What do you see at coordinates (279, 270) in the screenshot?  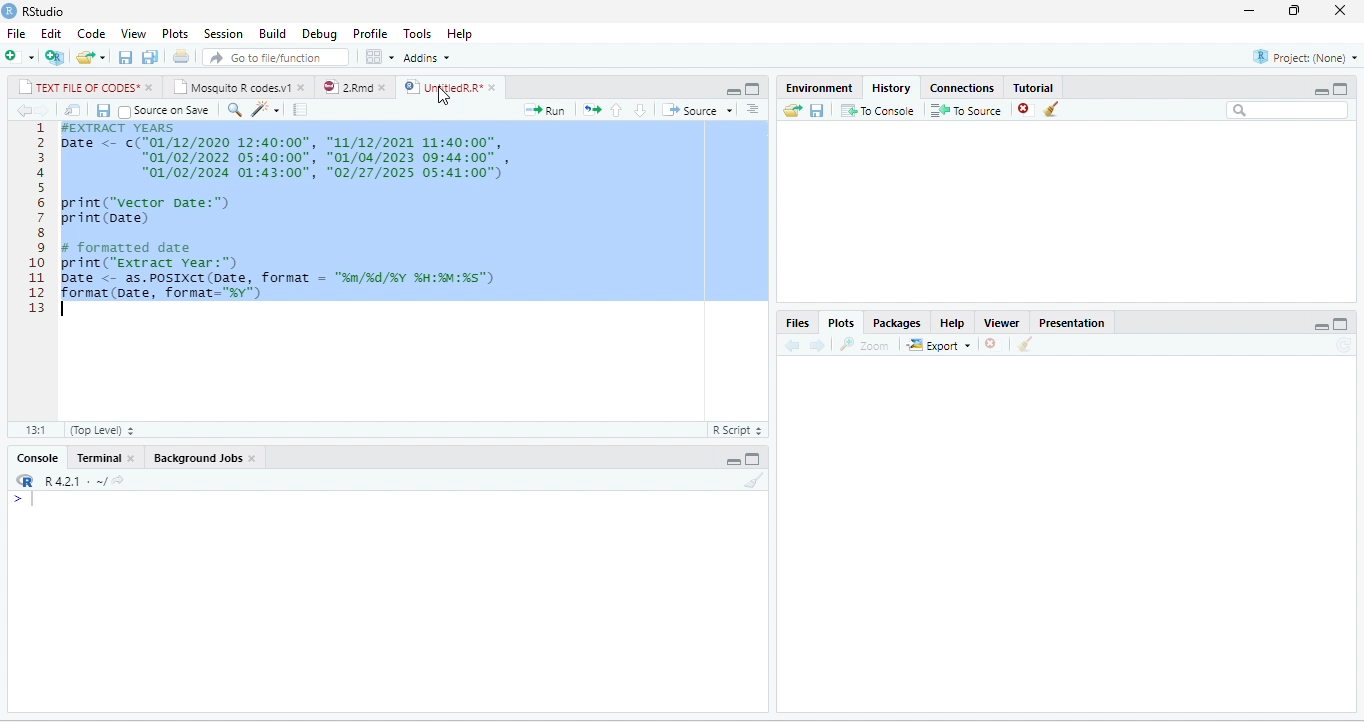 I see `# formatted date print("extract year:") Date <- as.POSIXCT(Date, format = "n/%d/%Y %H:M:%s") format(Date, format="%y")` at bounding box center [279, 270].